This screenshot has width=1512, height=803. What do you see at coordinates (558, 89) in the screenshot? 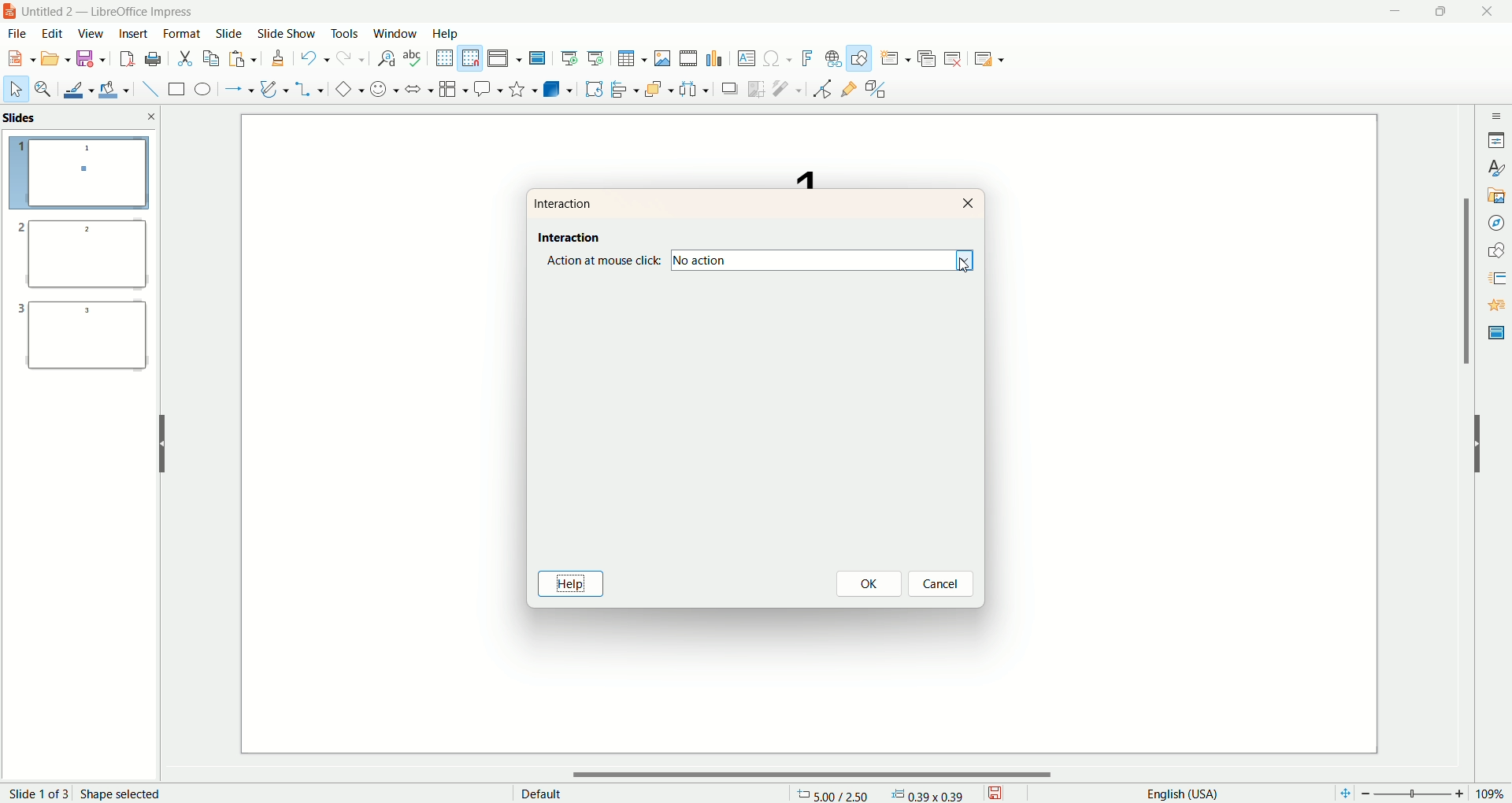
I see `3D objects` at bounding box center [558, 89].